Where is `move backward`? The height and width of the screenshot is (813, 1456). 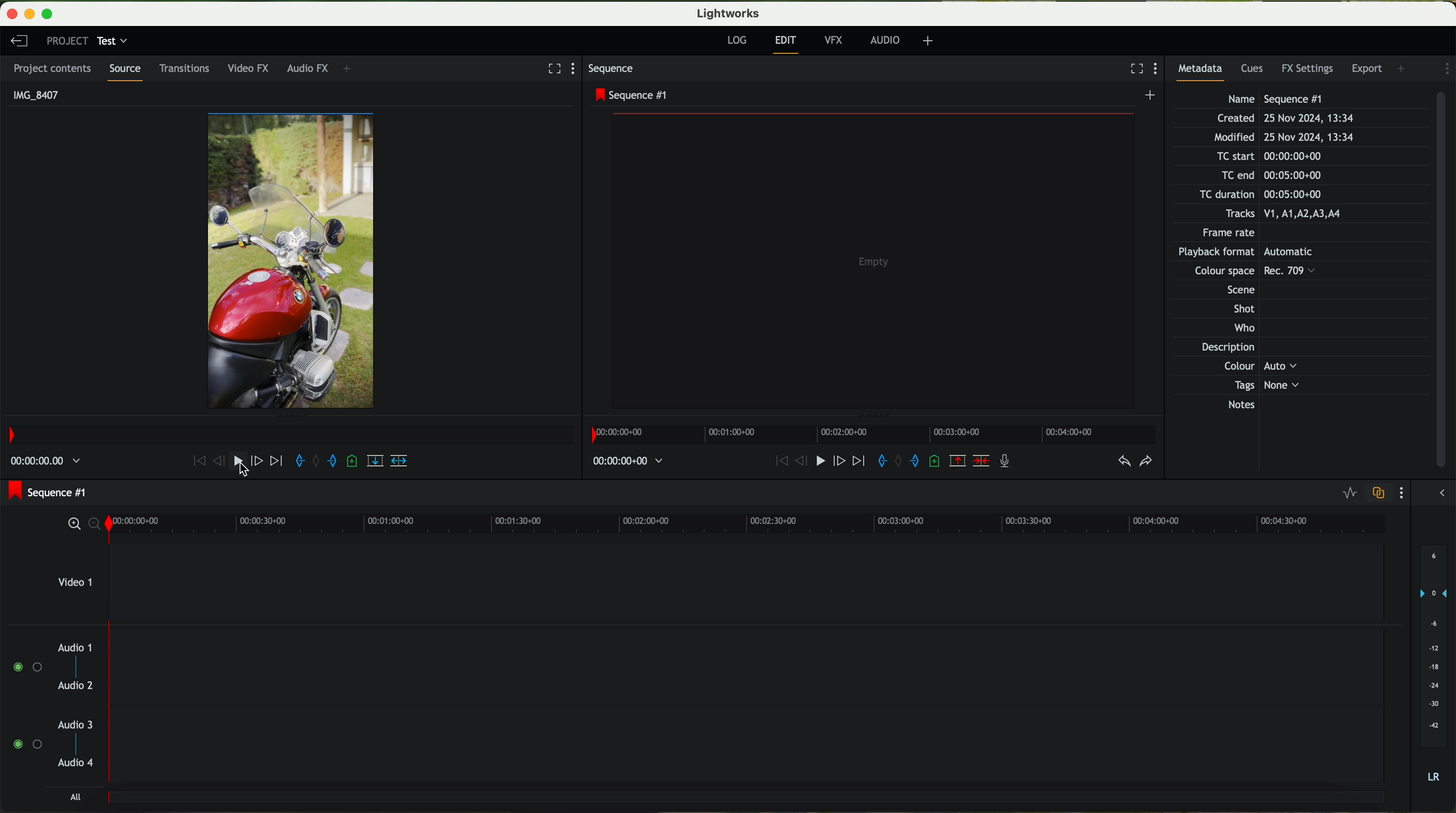 move backward is located at coordinates (447, 1023).